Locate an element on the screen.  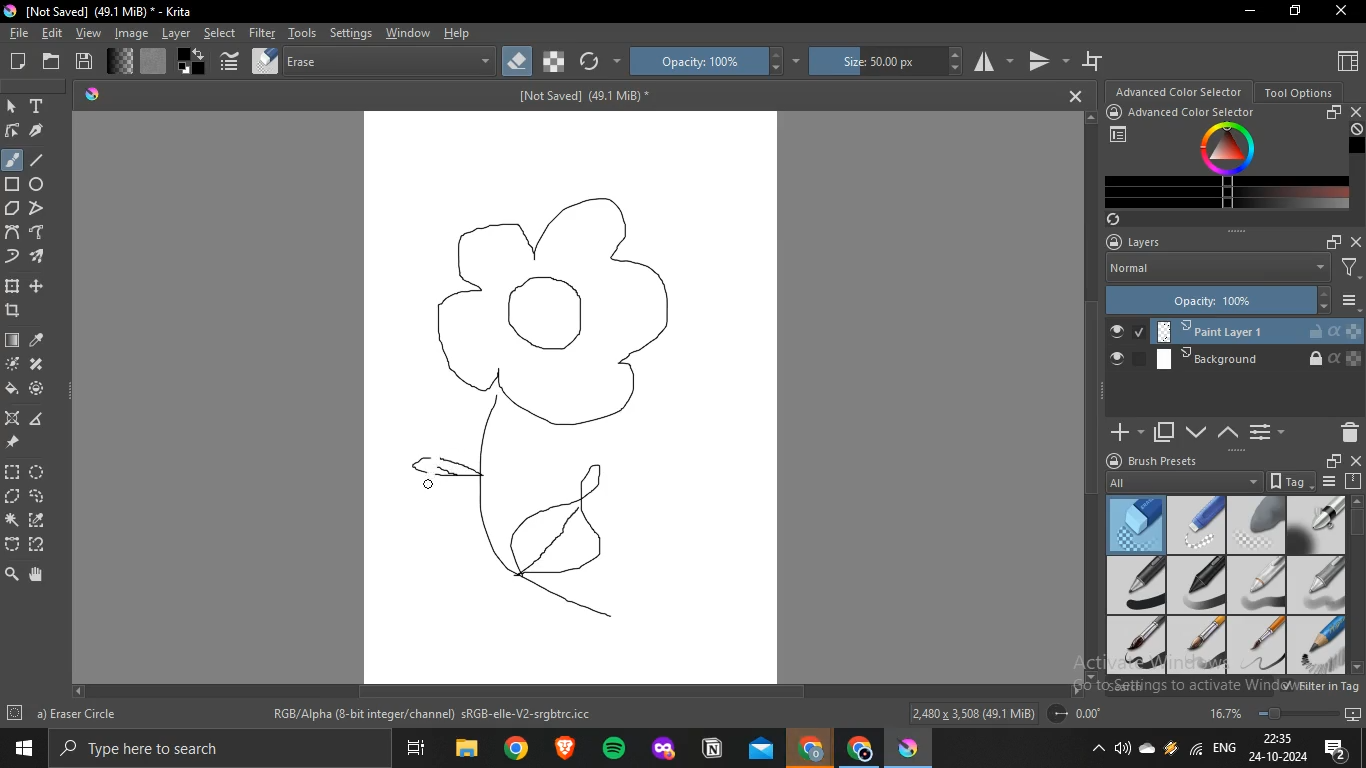
eraser soft is located at coordinates (1256, 524).